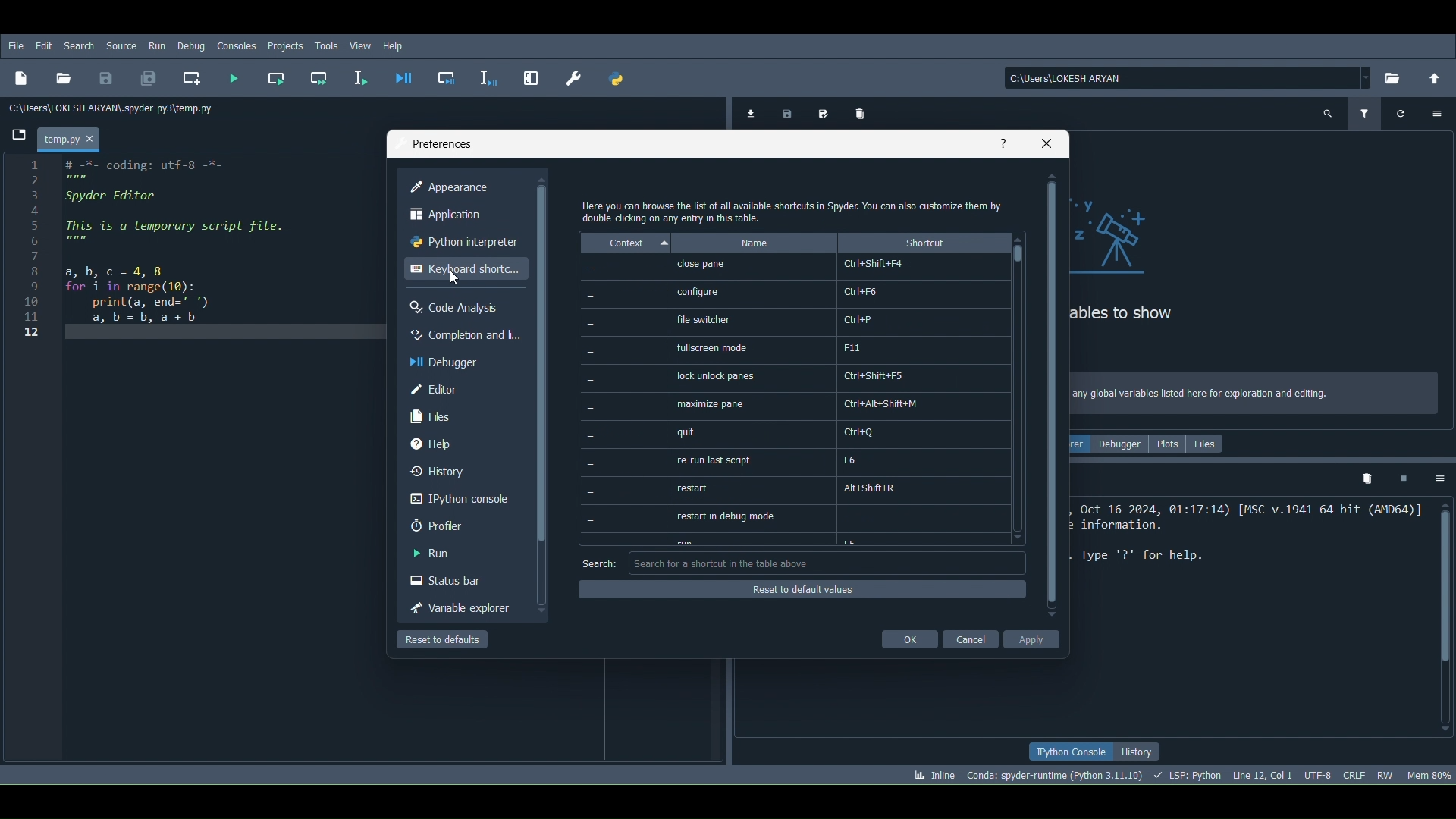 The image size is (1456, 819). What do you see at coordinates (286, 45) in the screenshot?
I see `Projects` at bounding box center [286, 45].